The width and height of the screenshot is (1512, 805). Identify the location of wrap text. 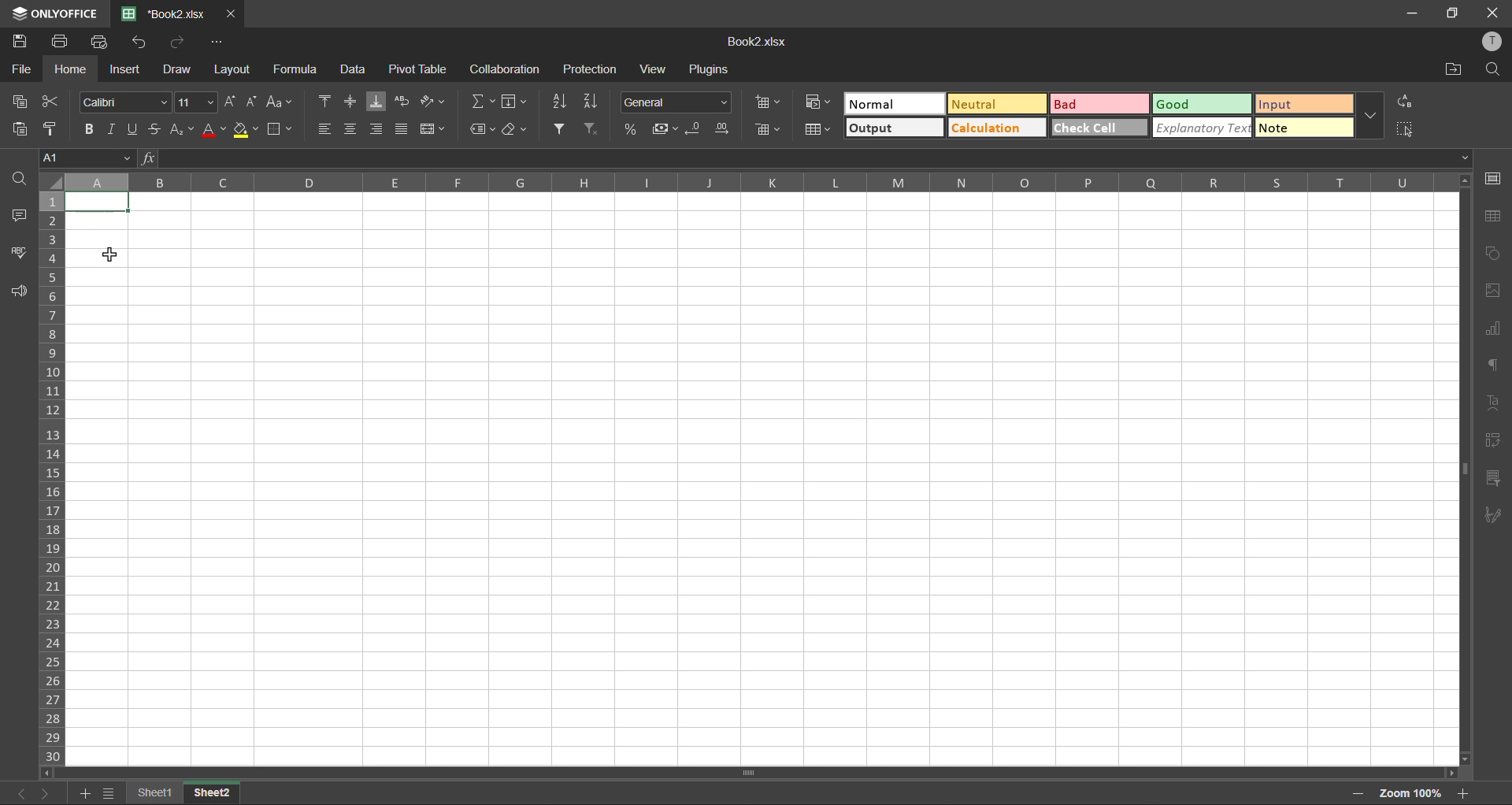
(402, 102).